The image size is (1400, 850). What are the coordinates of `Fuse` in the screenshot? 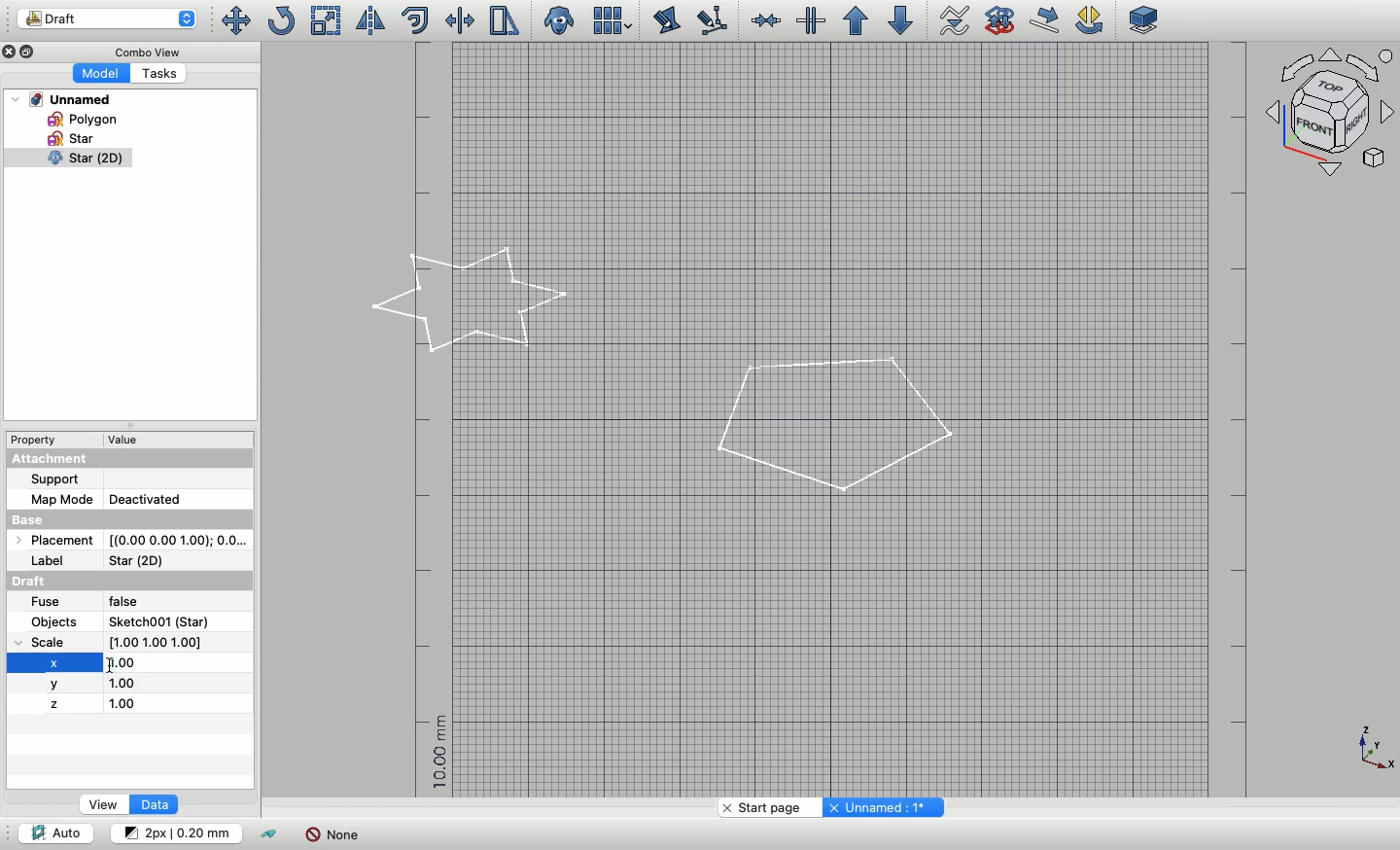 It's located at (47, 602).